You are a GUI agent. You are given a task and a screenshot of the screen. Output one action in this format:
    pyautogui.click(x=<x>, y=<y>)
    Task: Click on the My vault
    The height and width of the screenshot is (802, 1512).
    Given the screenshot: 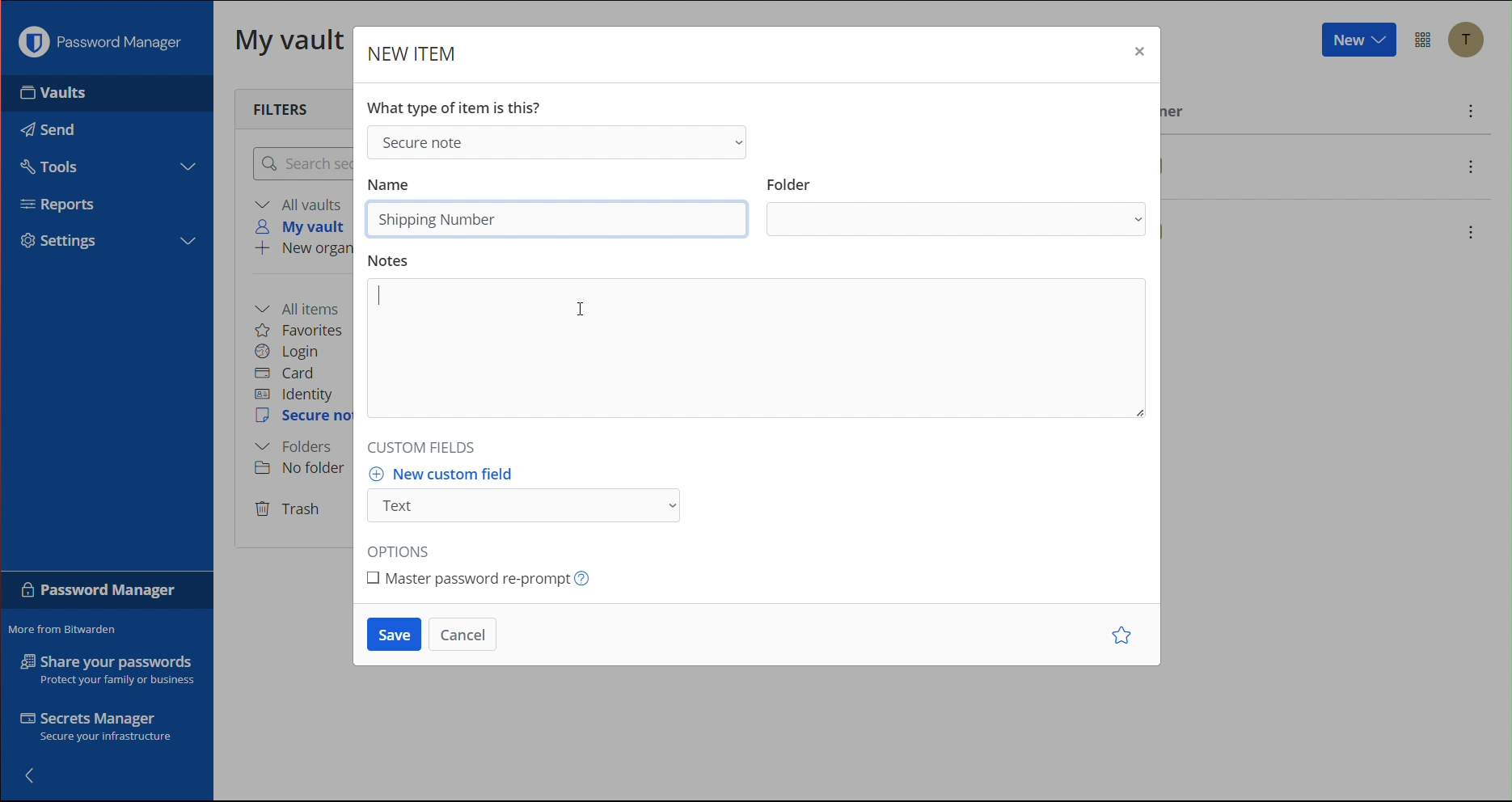 What is the action you would take?
    pyautogui.click(x=300, y=226)
    